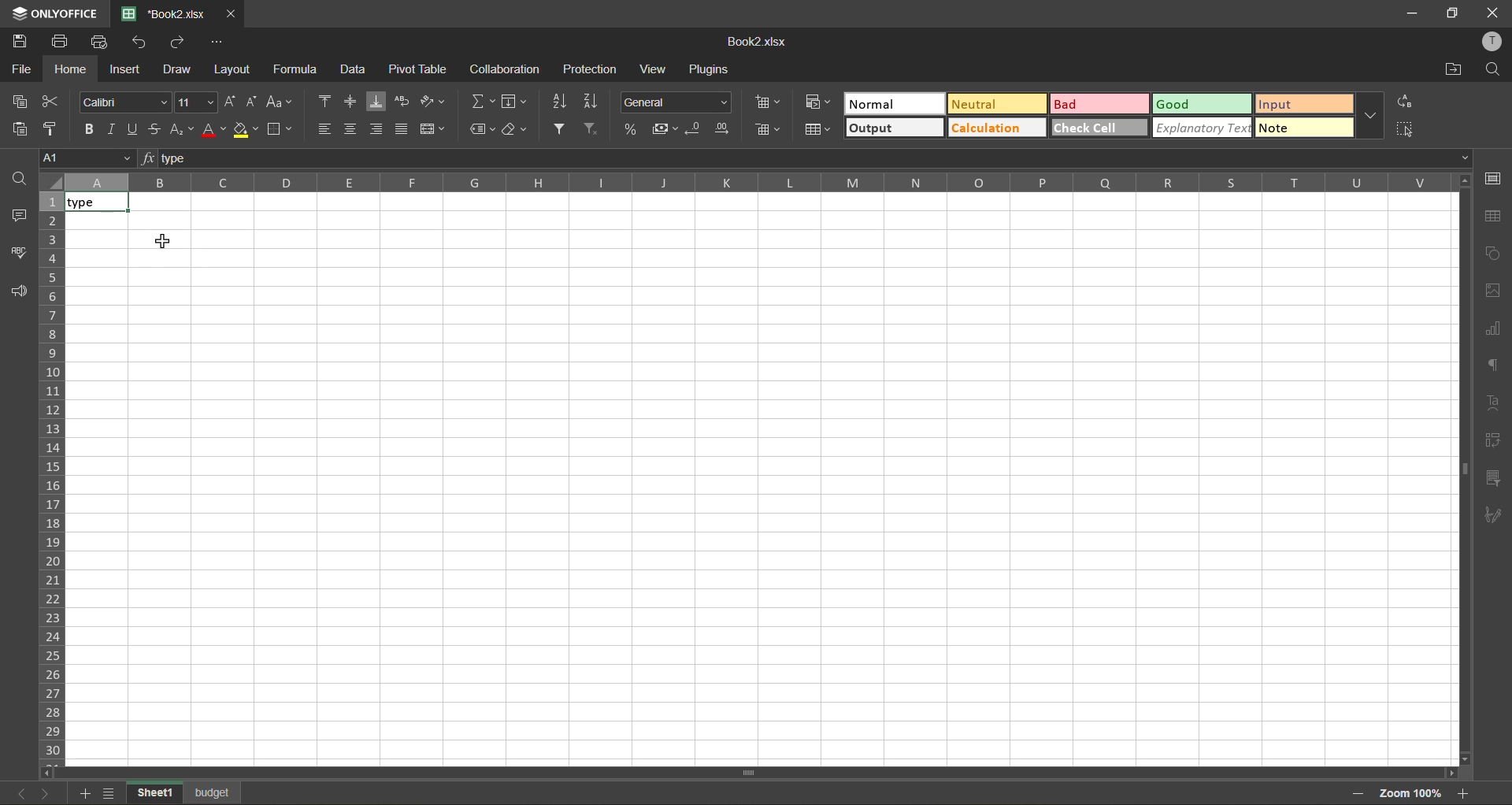 The width and height of the screenshot is (1512, 805). What do you see at coordinates (1304, 128) in the screenshot?
I see `note` at bounding box center [1304, 128].